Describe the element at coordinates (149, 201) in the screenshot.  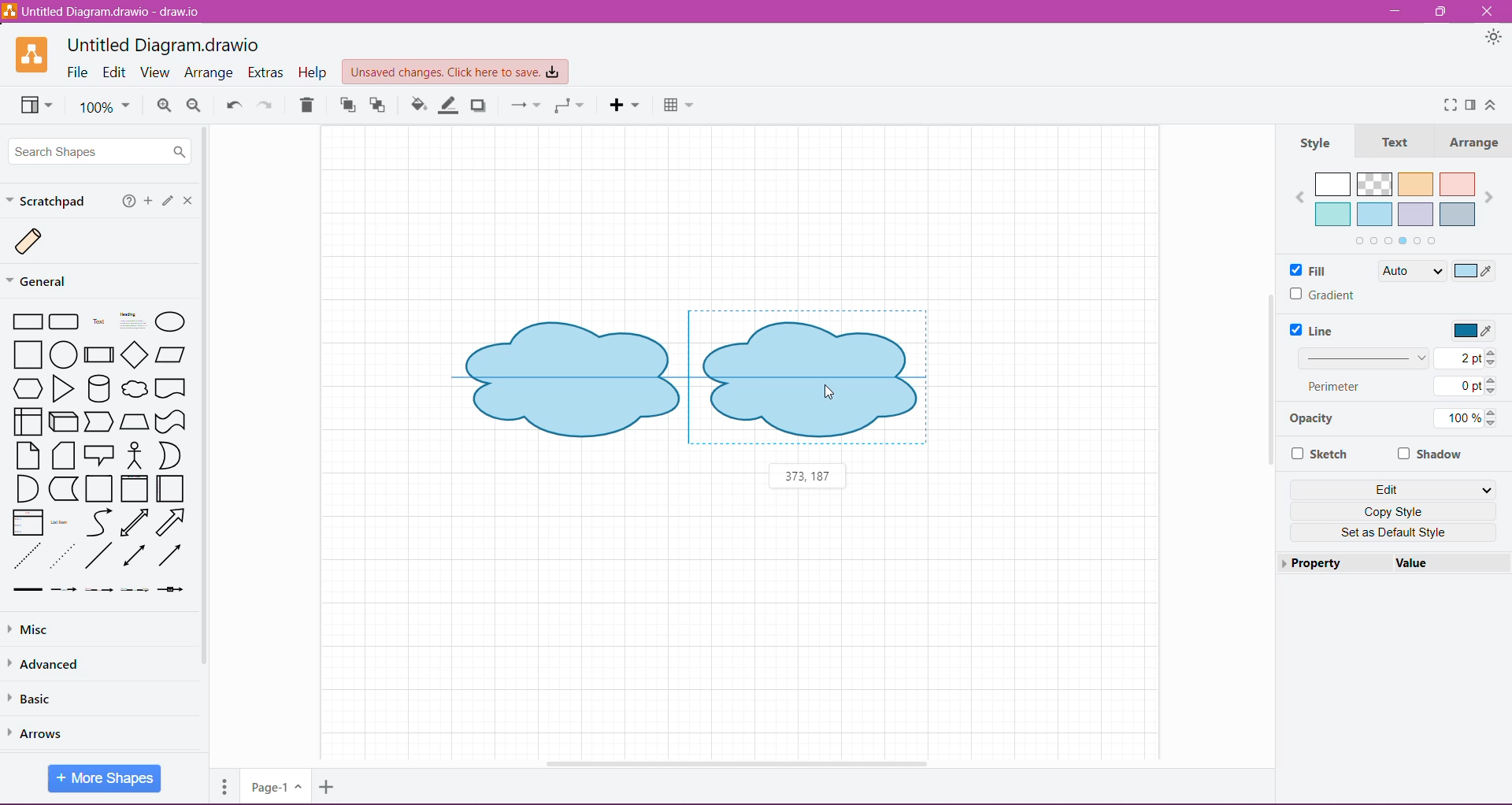
I see `Add` at that location.